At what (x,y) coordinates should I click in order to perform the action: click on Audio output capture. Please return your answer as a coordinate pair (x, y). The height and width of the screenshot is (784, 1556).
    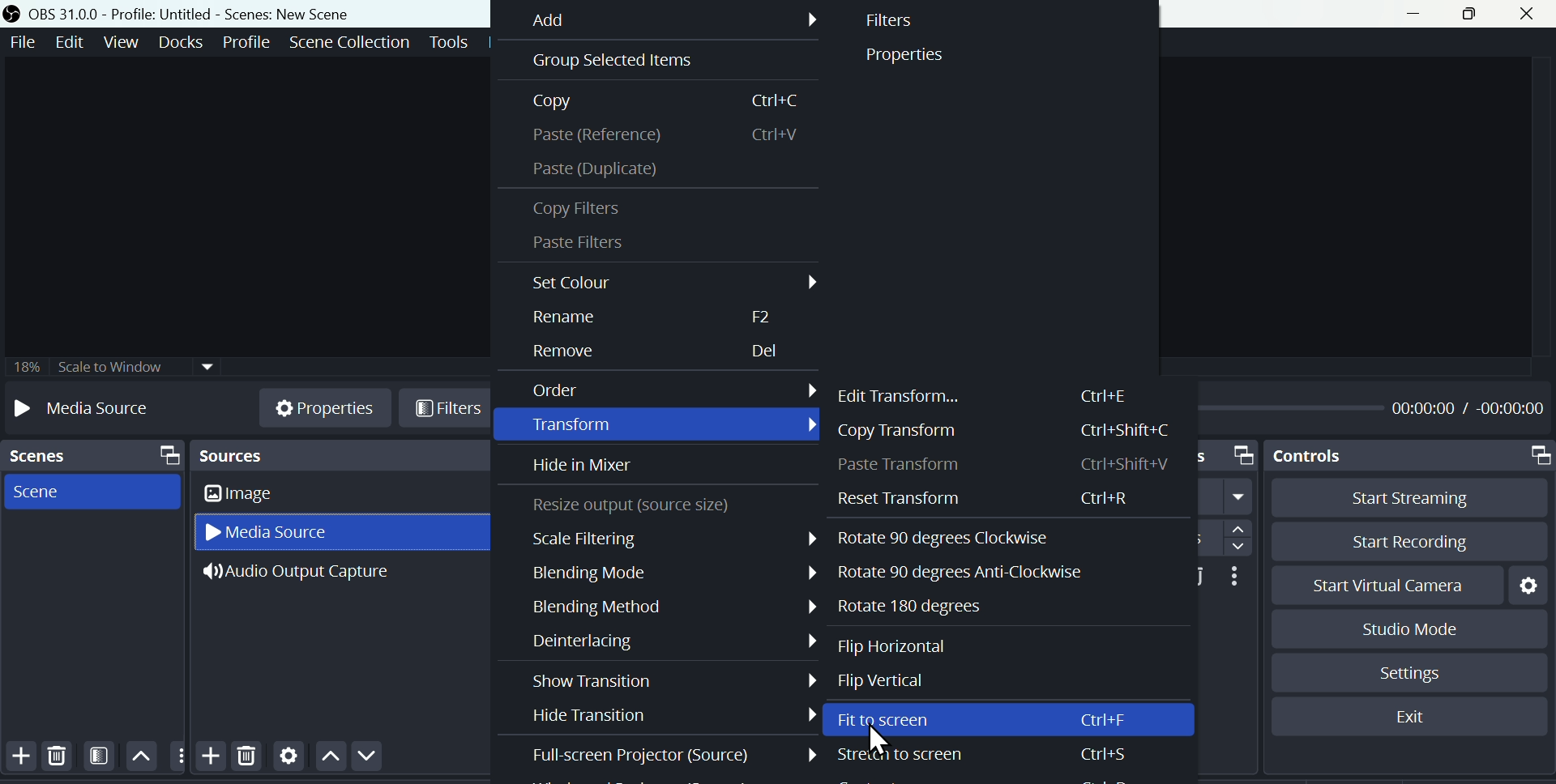
    Looking at the image, I should click on (316, 575).